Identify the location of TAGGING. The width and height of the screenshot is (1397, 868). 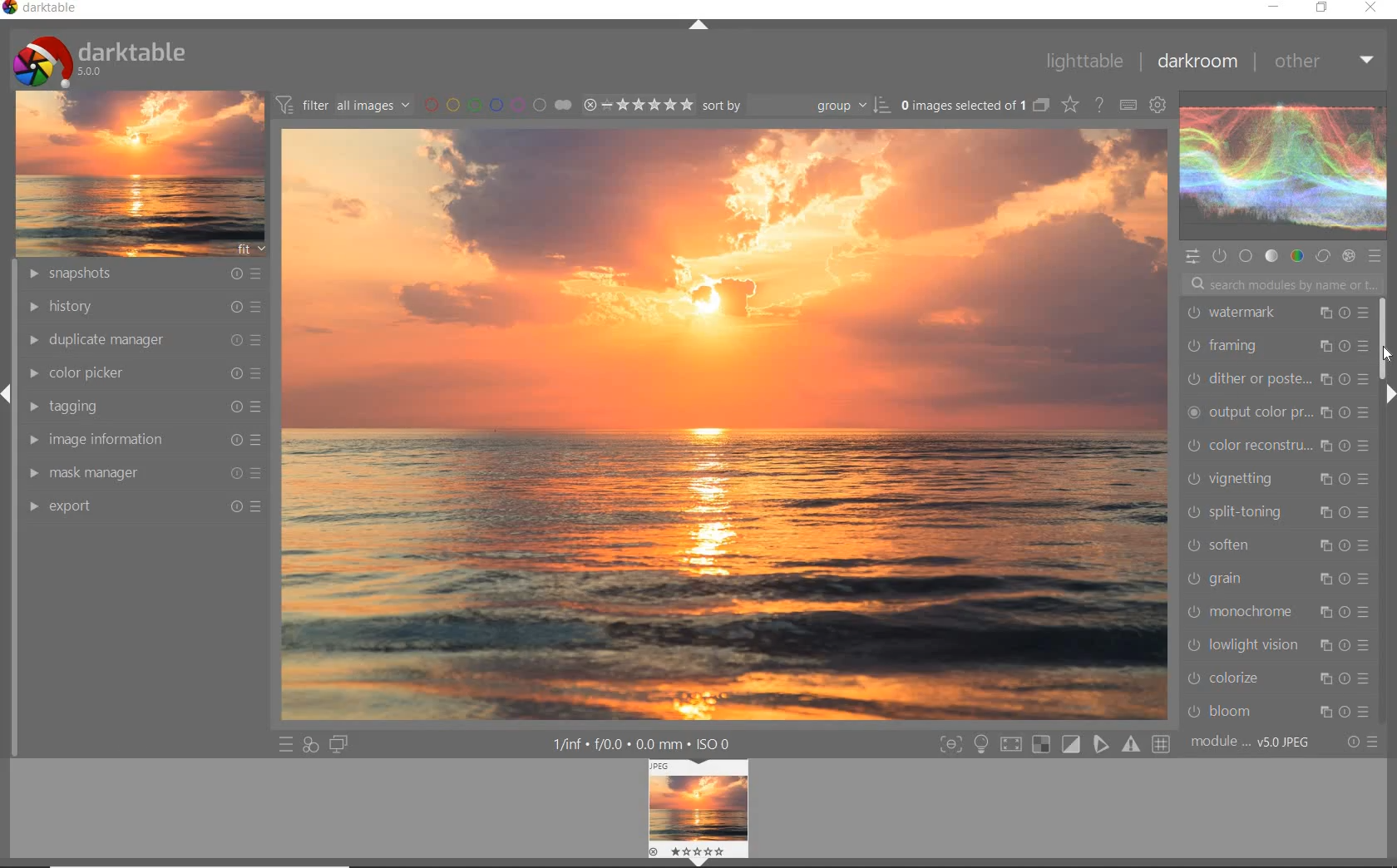
(142, 405).